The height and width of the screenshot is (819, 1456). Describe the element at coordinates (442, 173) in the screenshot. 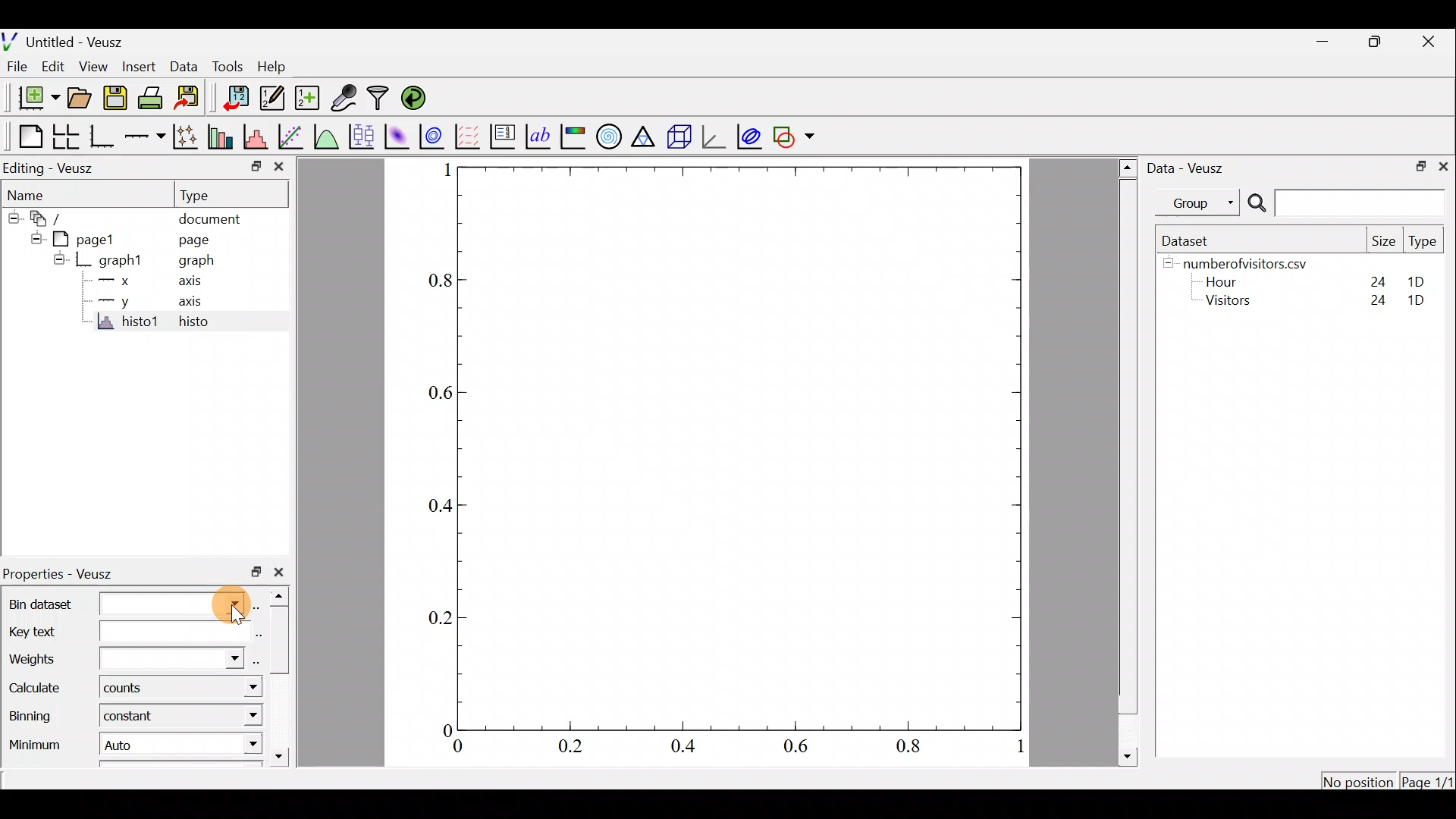

I see `1` at that location.